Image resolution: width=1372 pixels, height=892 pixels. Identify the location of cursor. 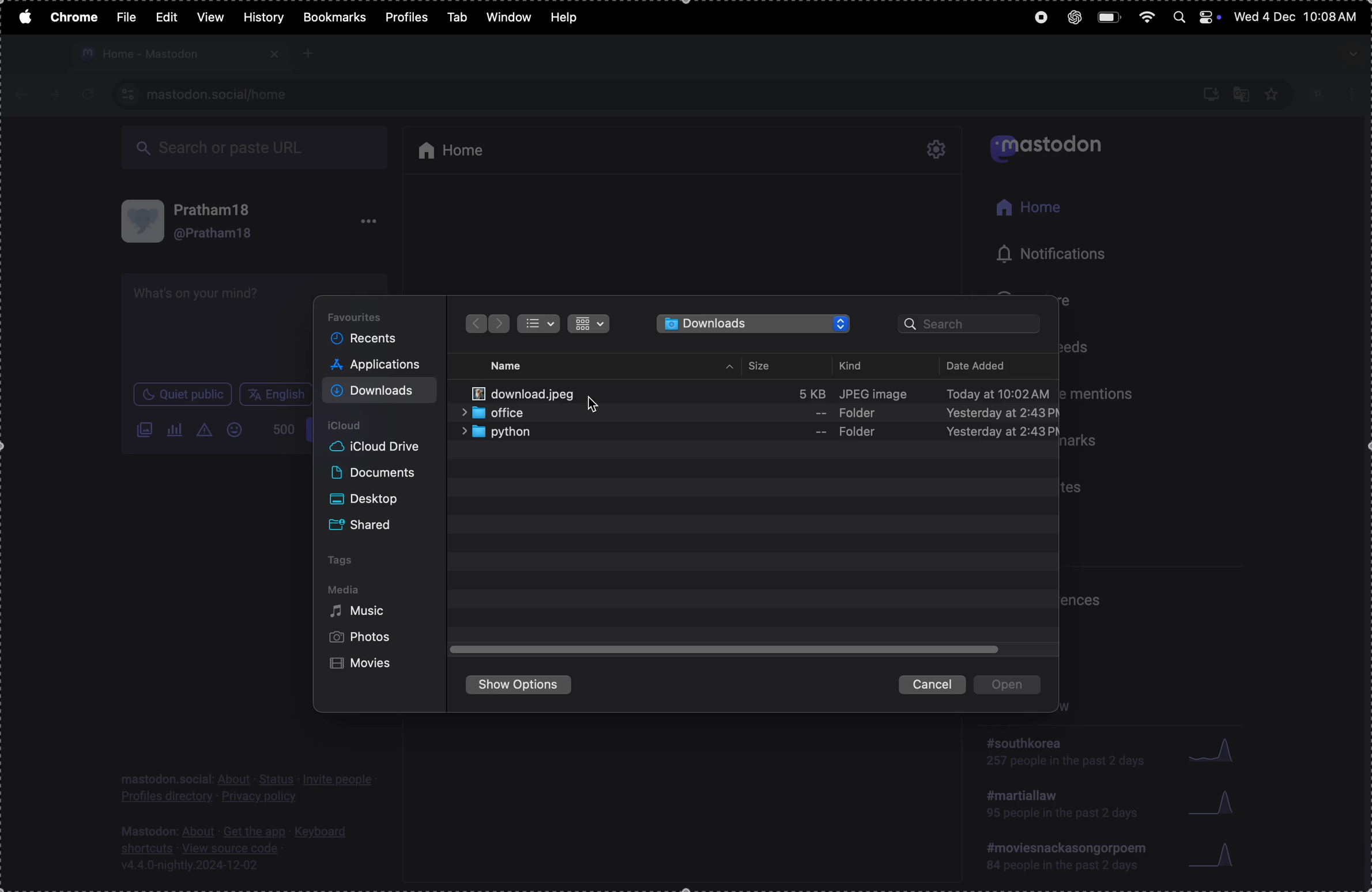
(594, 405).